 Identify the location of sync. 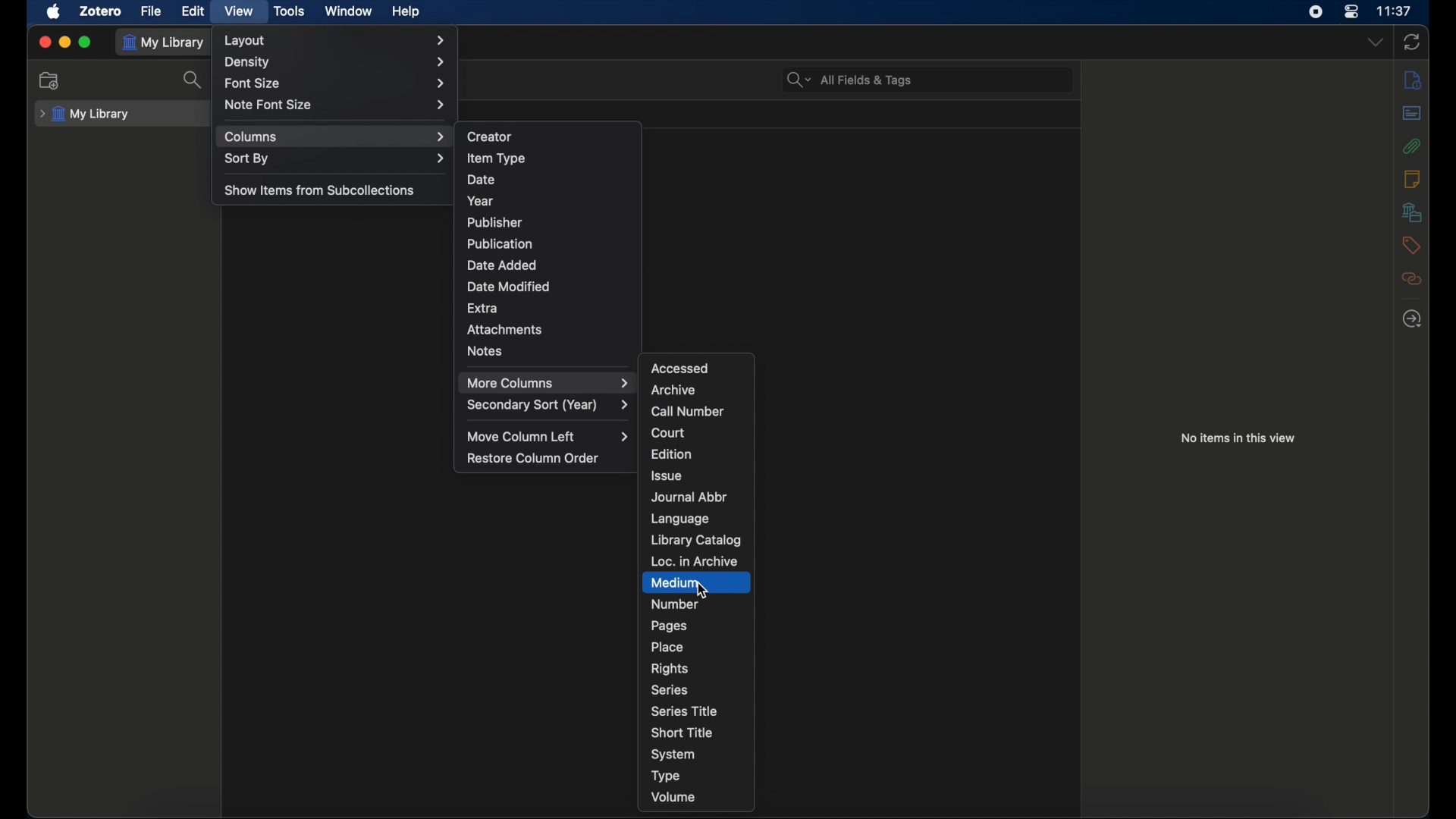
(1412, 42).